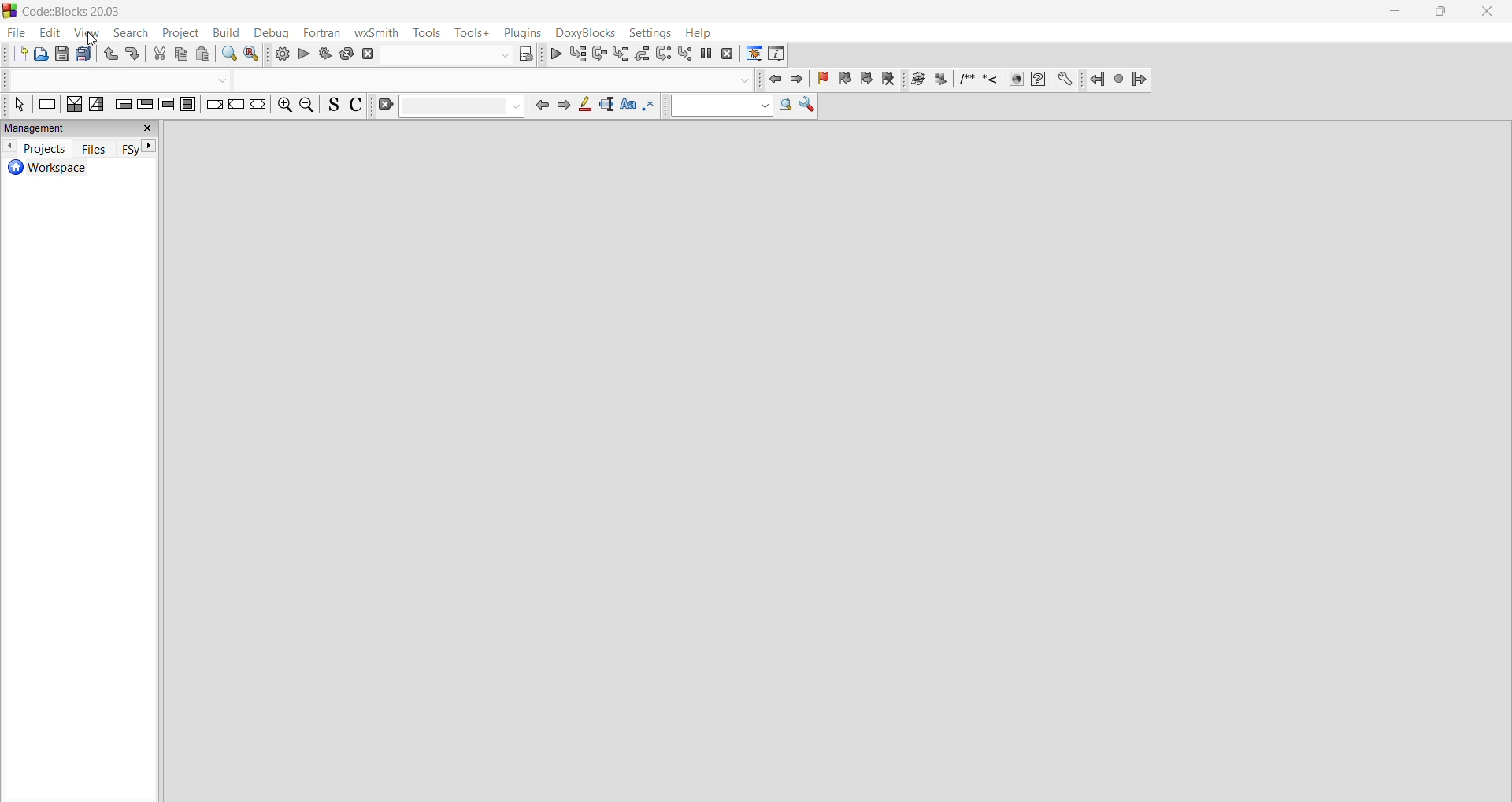 The height and width of the screenshot is (802, 1512). What do you see at coordinates (524, 32) in the screenshot?
I see `plugins` at bounding box center [524, 32].